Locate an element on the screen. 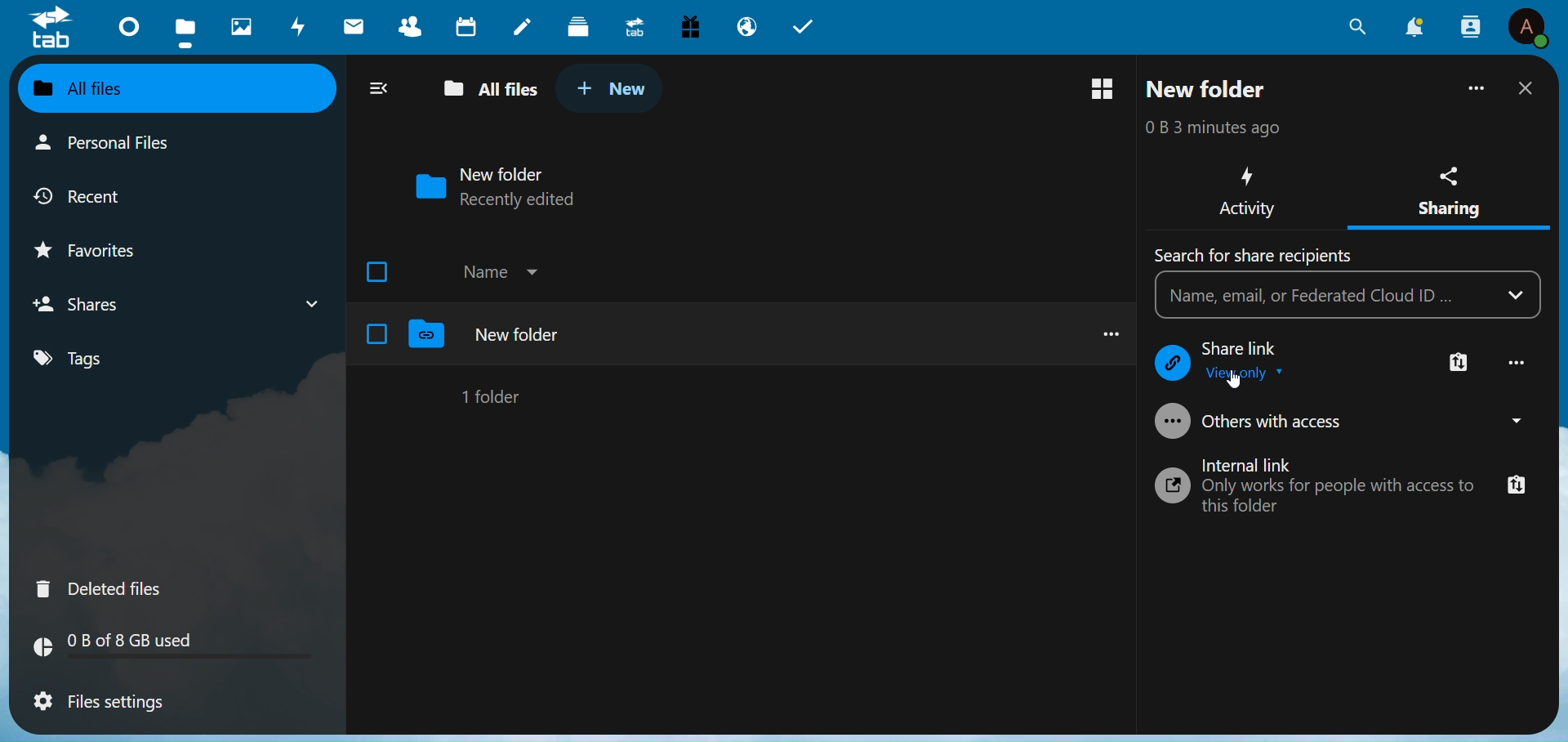 The height and width of the screenshot is (742, 1568). Shares drop down is located at coordinates (305, 301).